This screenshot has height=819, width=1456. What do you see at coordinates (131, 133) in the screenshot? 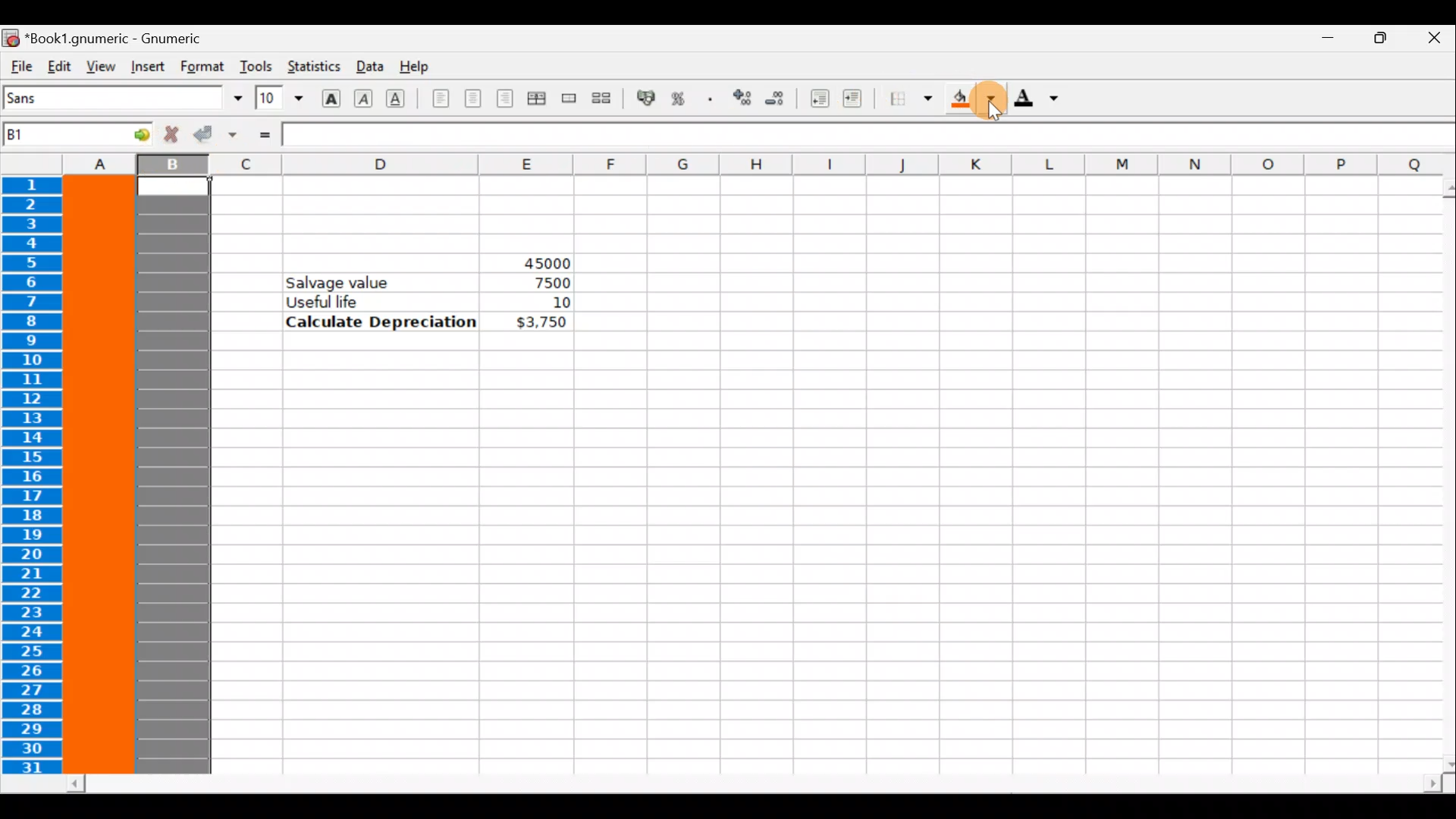
I see `Go to` at bounding box center [131, 133].